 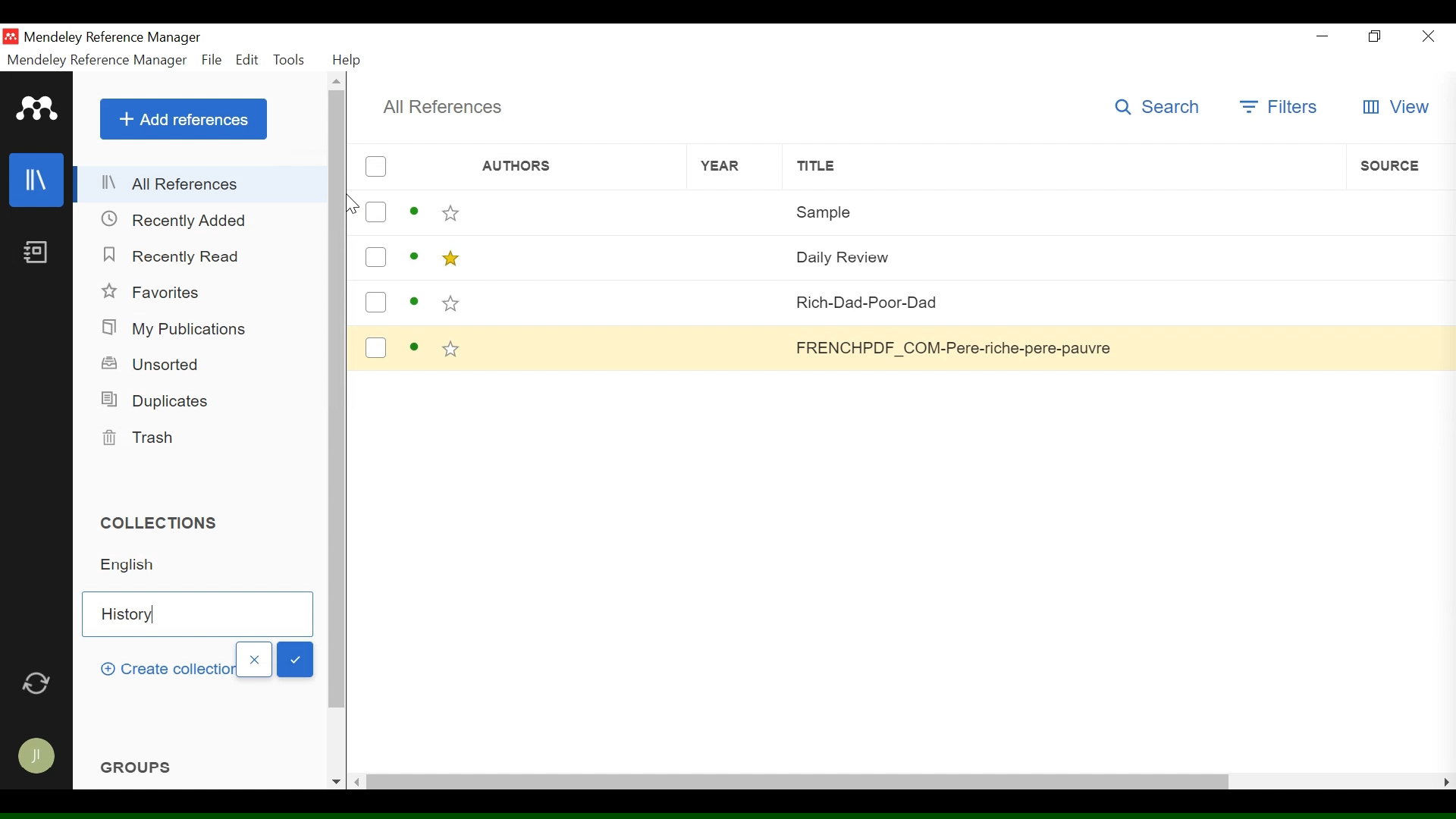 I want to click on (un)select, so click(x=375, y=304).